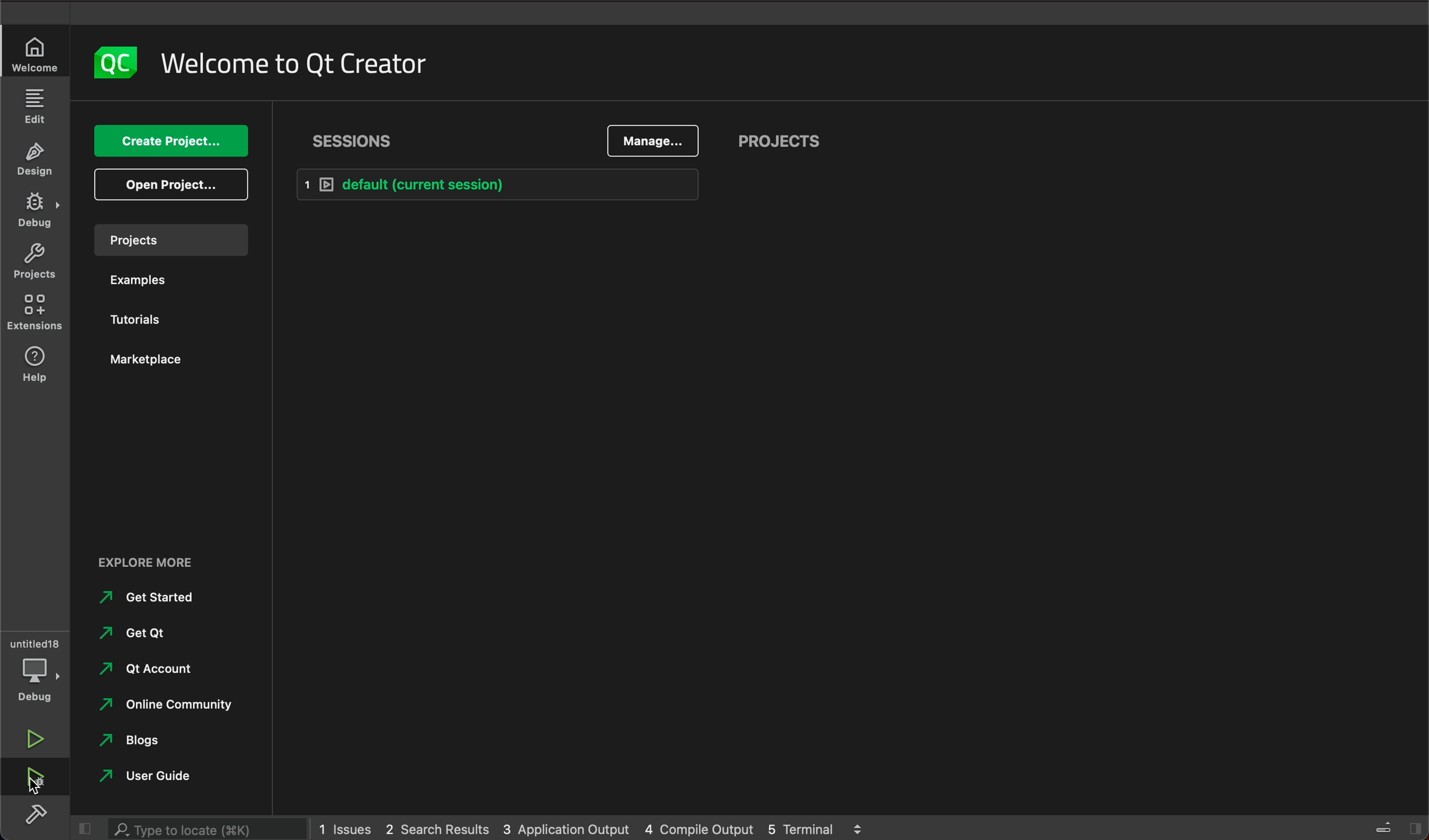 The width and height of the screenshot is (1429, 840). Describe the element at coordinates (172, 142) in the screenshot. I see `create` at that location.